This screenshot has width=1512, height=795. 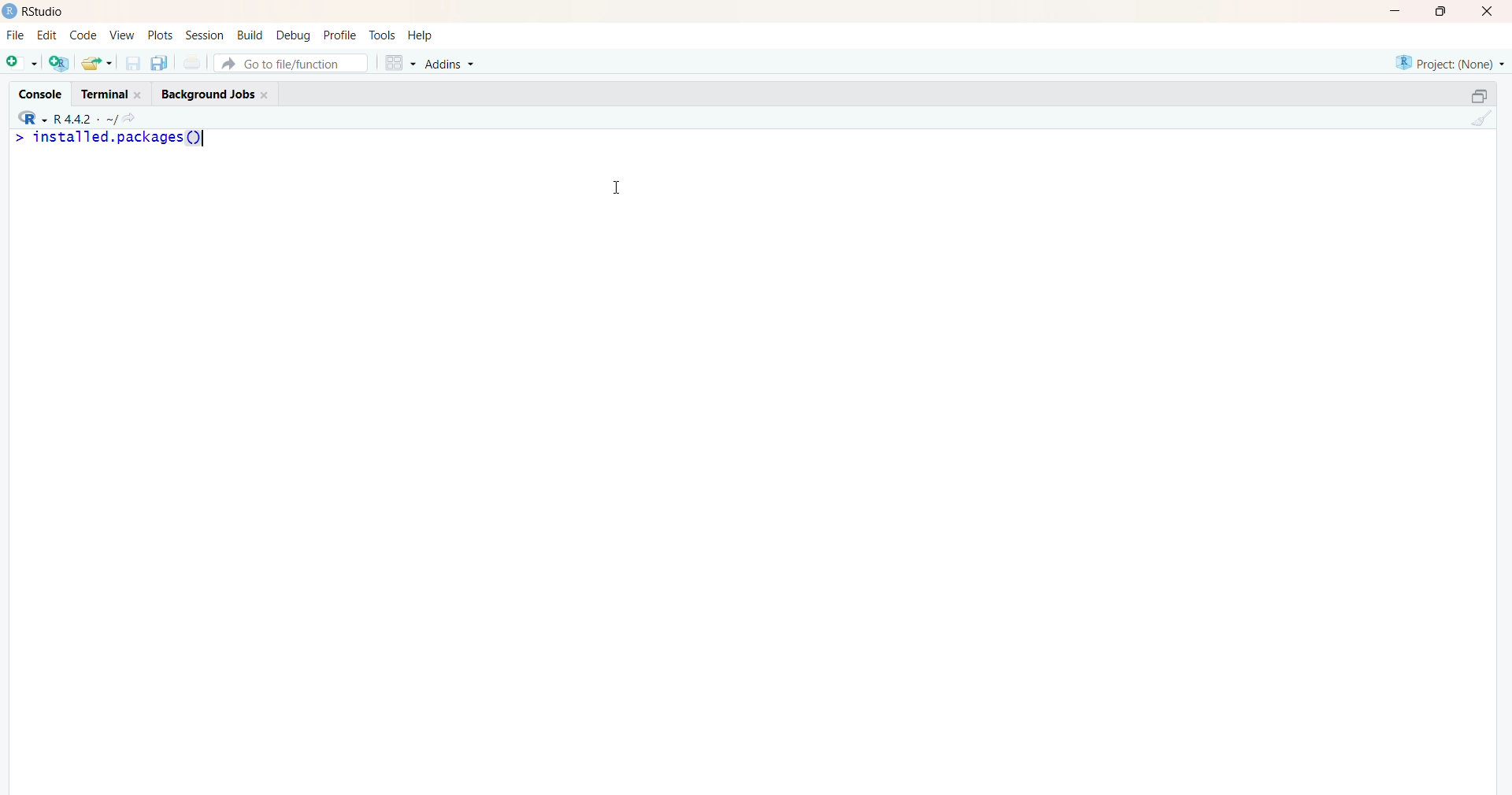 I want to click on clear console, so click(x=1480, y=120).